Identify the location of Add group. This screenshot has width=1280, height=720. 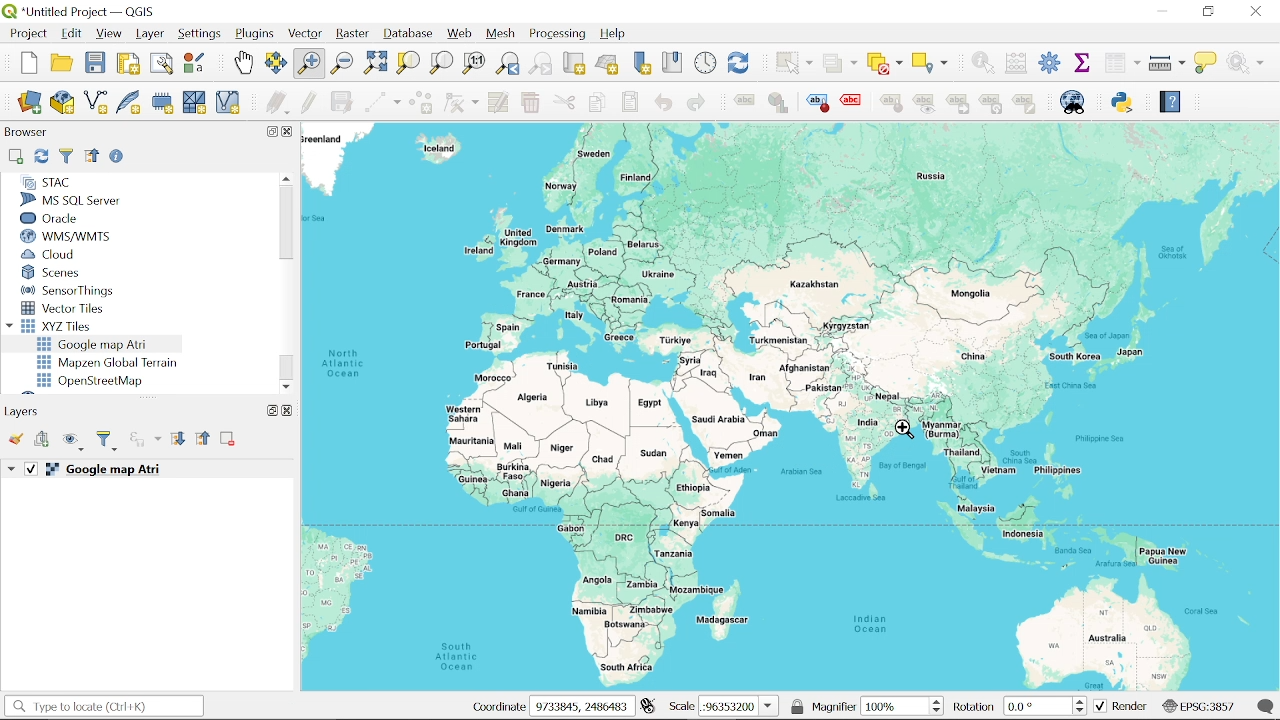
(43, 440).